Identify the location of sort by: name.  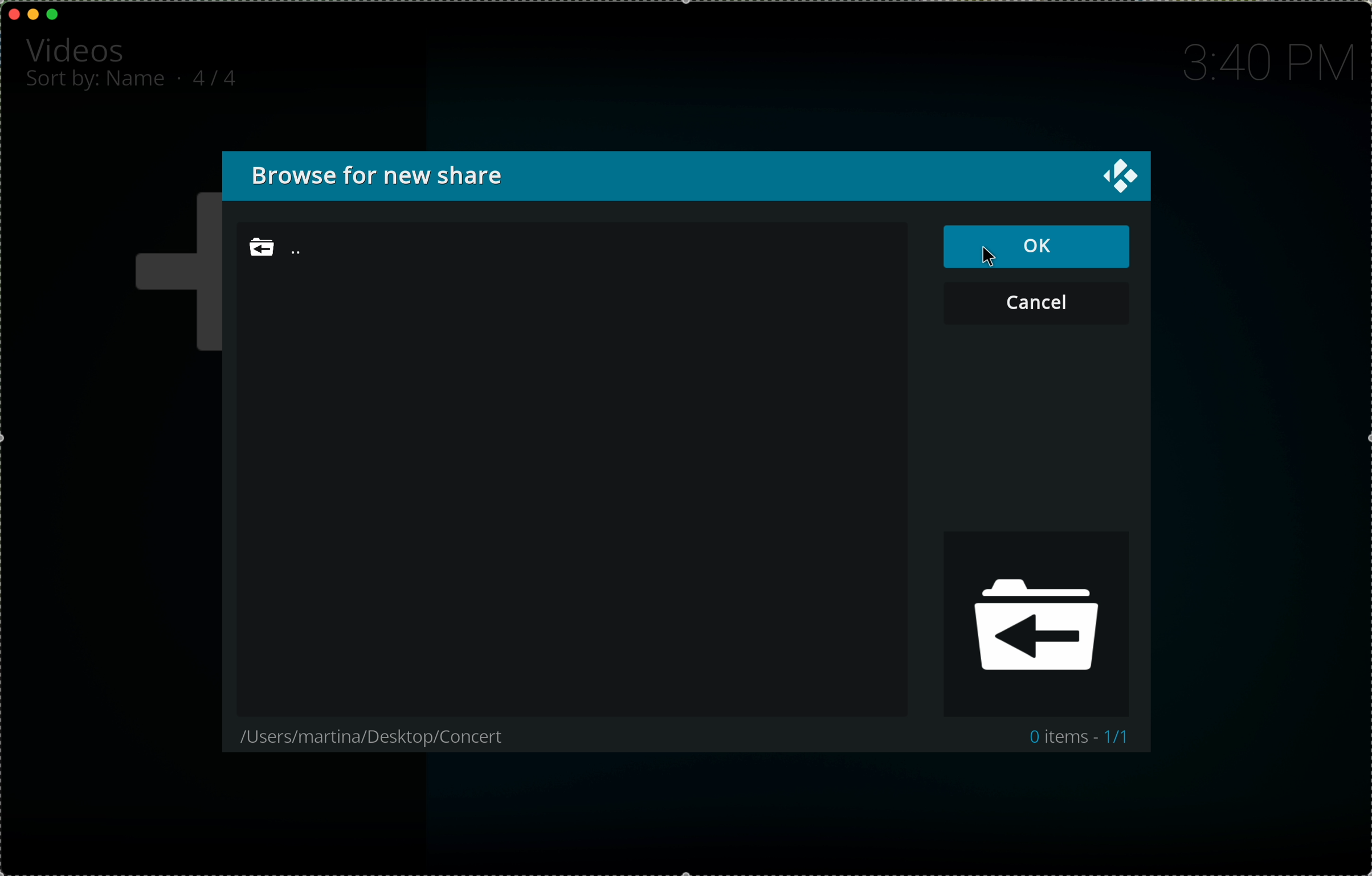
(97, 83).